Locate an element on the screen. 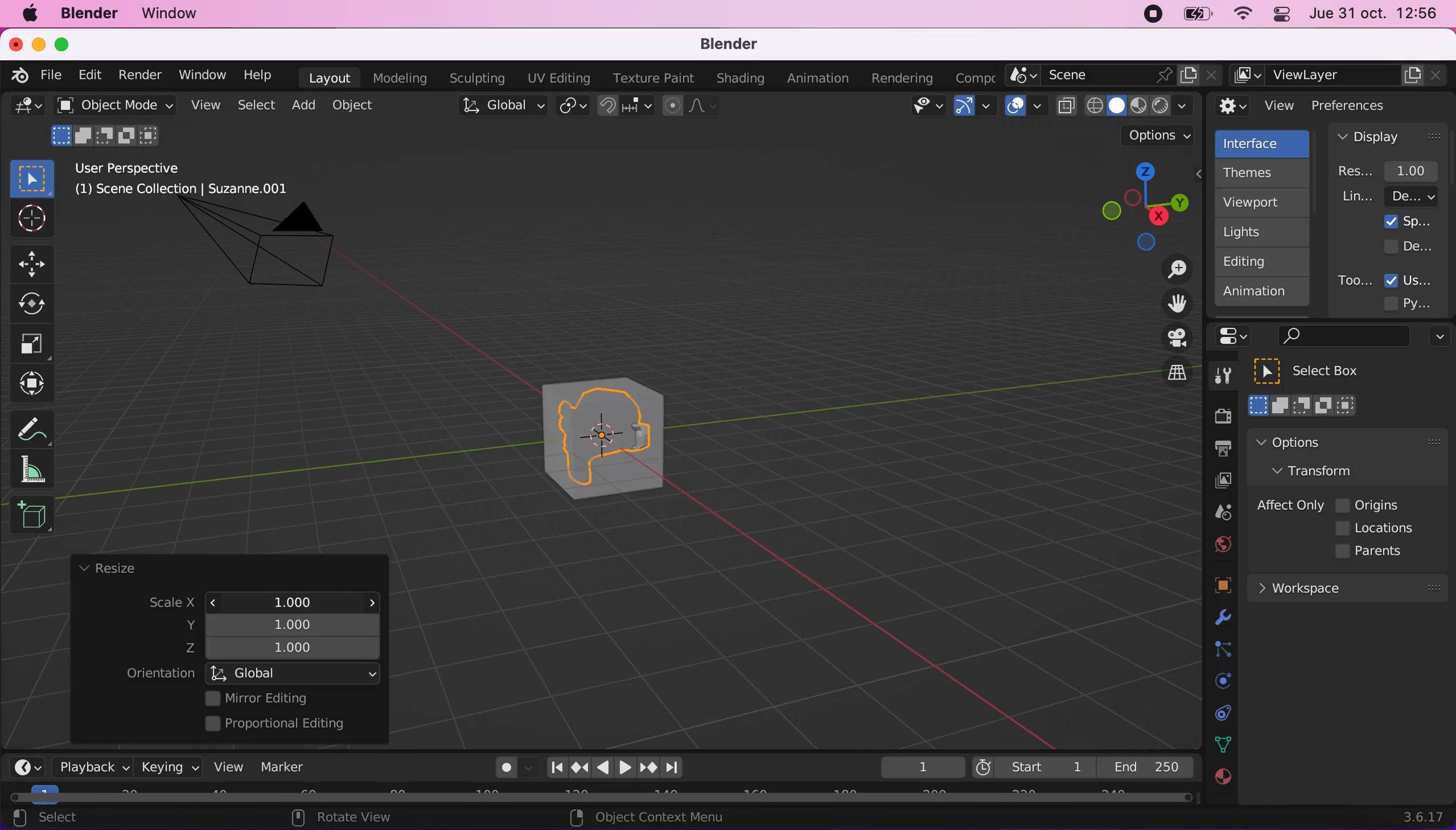 This screenshot has height=830, width=1456. data is located at coordinates (1220, 743).